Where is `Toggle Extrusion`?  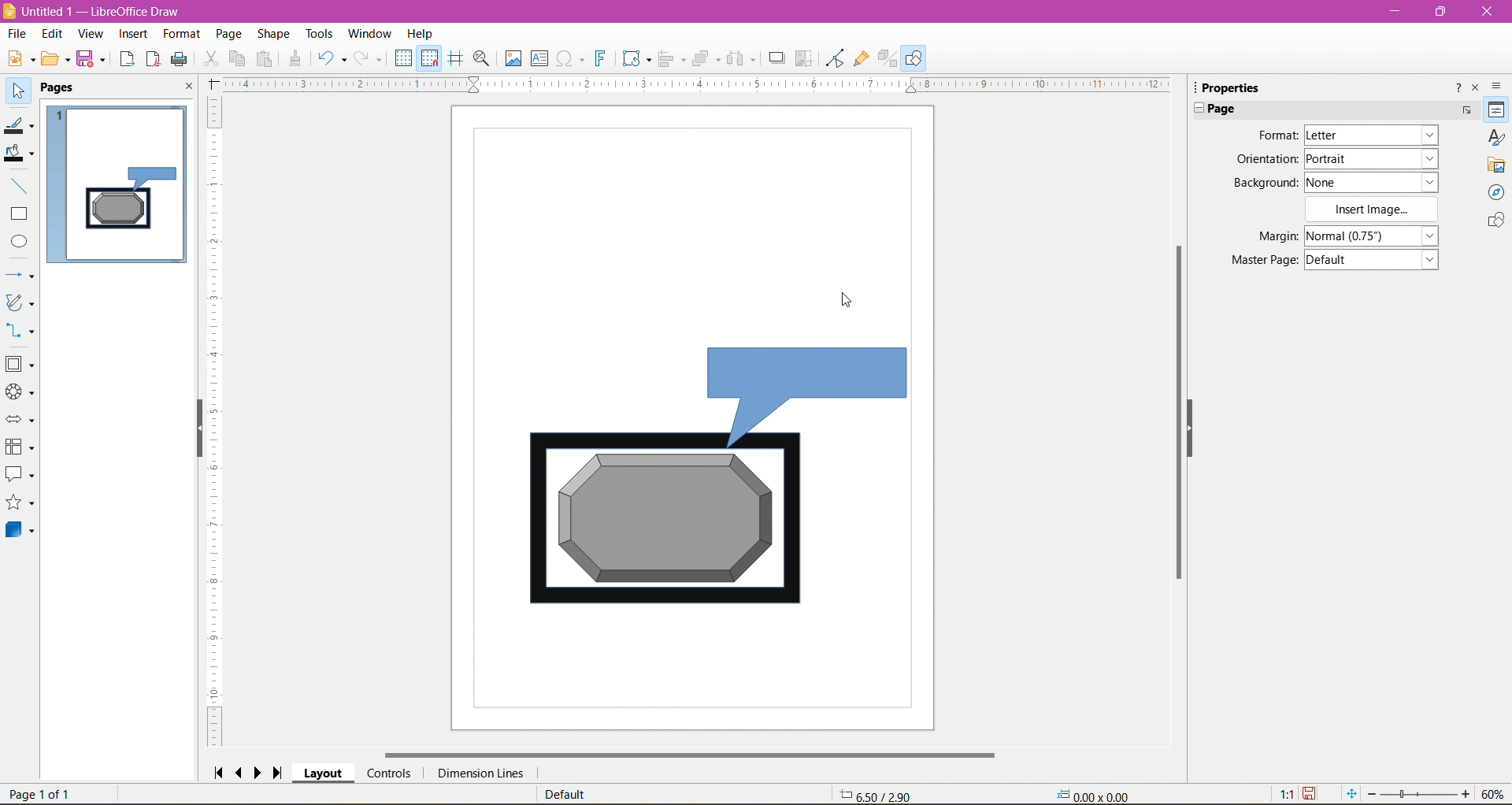
Toggle Extrusion is located at coordinates (888, 58).